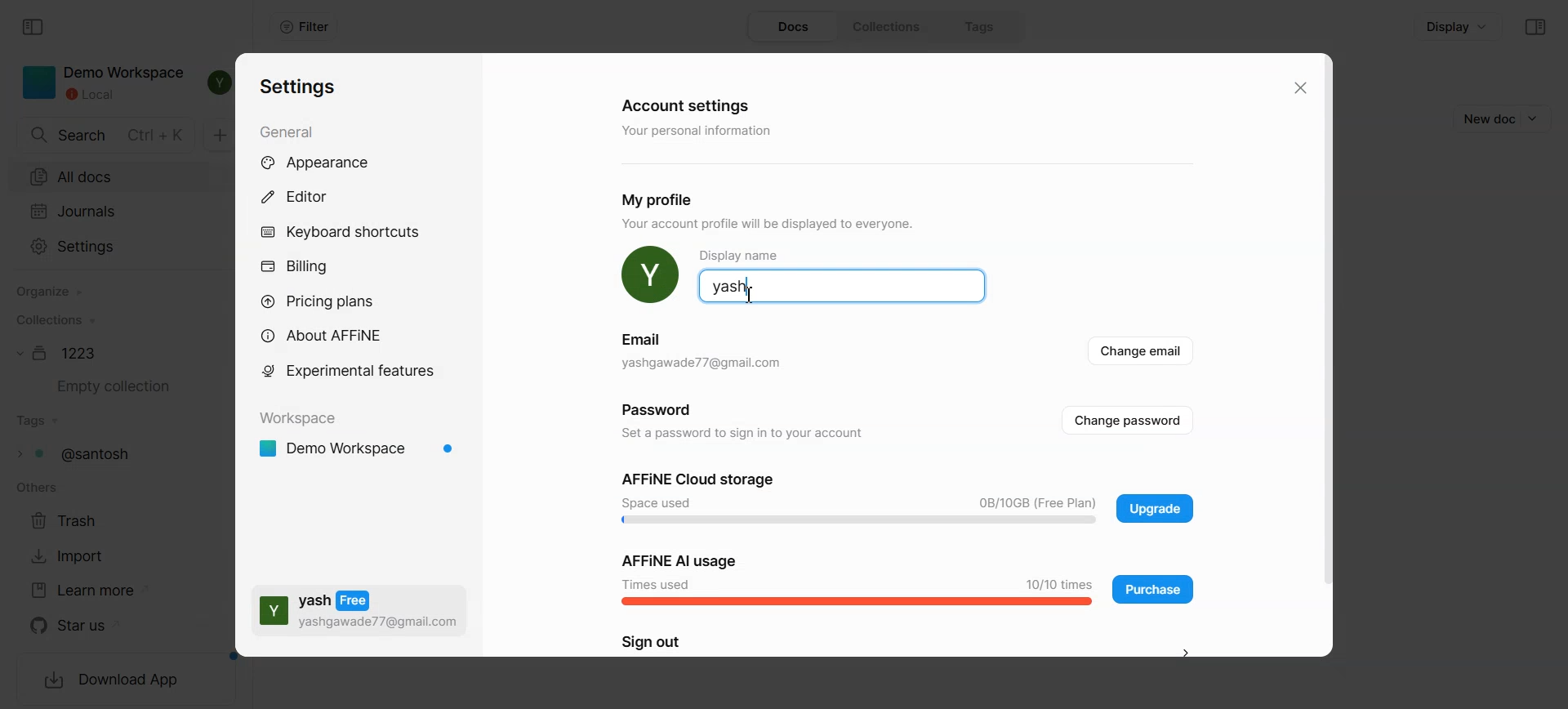 This screenshot has width=1568, height=709. I want to click on Dropdown box, so click(1539, 118).